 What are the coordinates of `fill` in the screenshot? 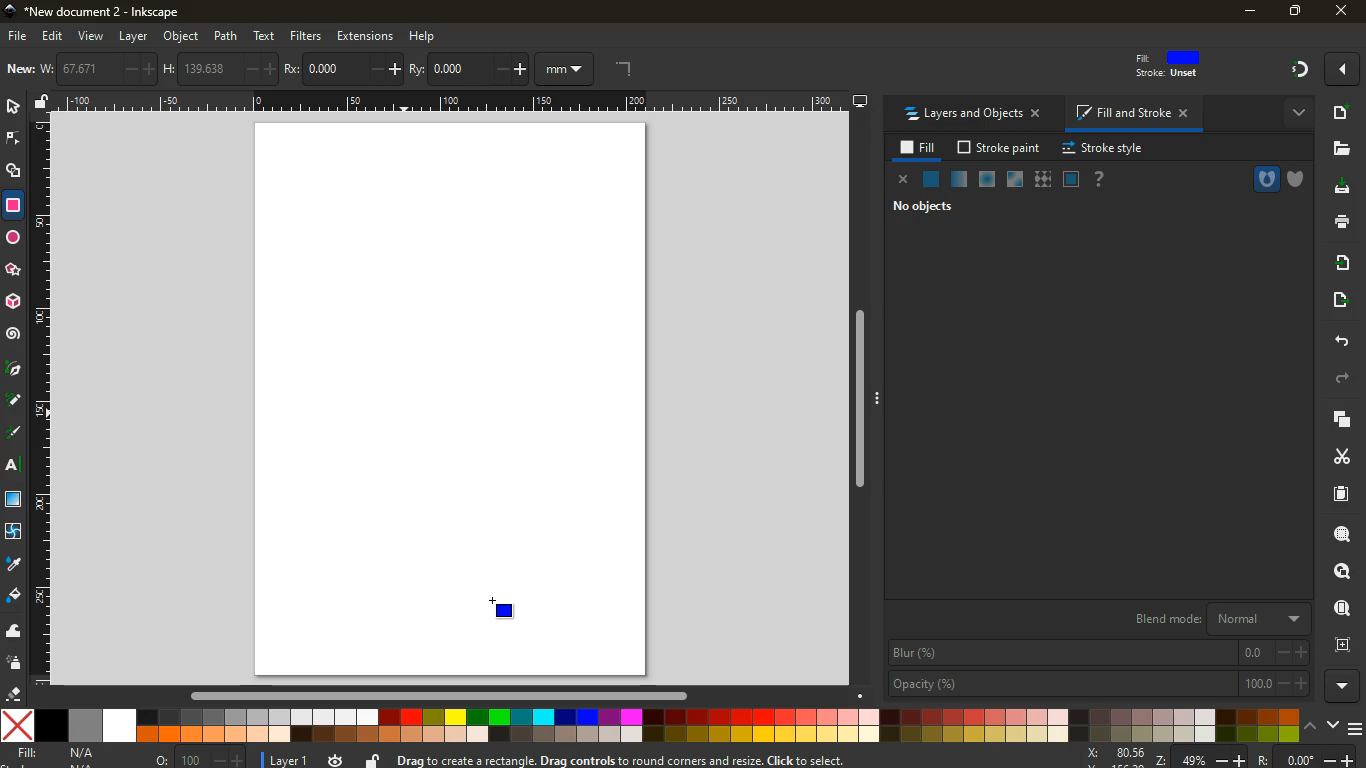 It's located at (918, 151).